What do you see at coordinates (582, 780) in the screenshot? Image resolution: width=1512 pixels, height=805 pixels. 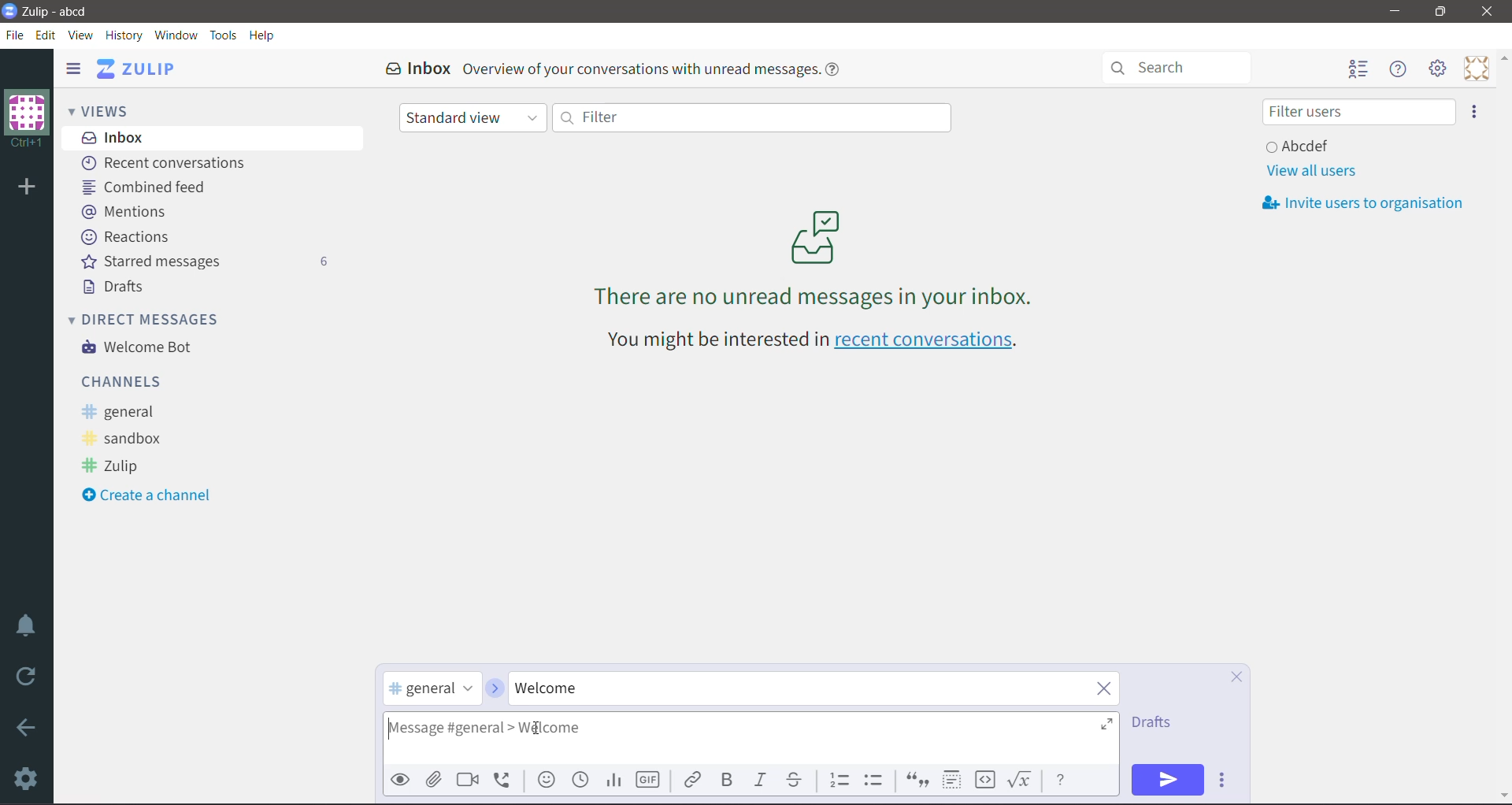 I see `Add global time` at bounding box center [582, 780].